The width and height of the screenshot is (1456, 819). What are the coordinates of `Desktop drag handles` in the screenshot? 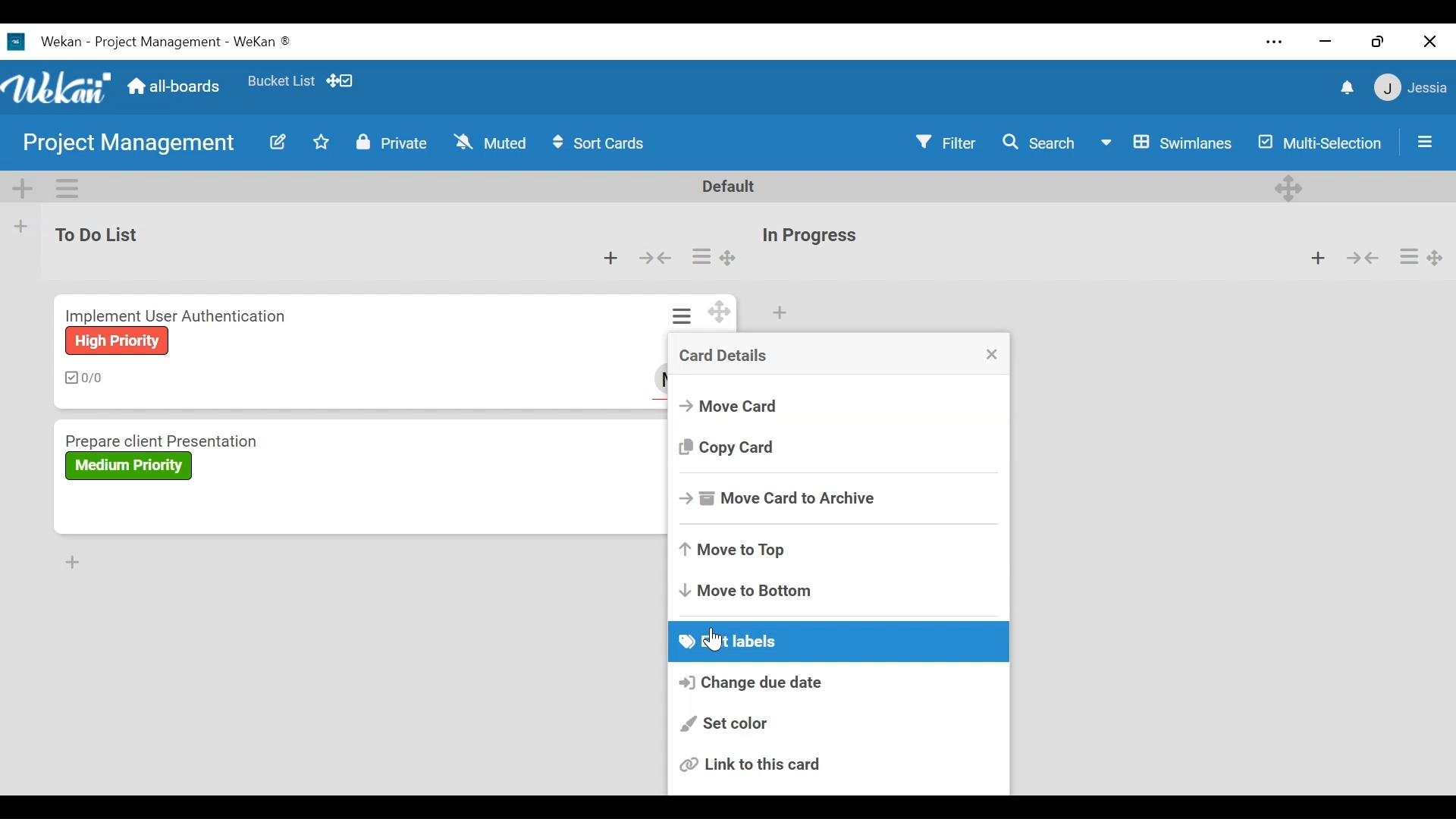 It's located at (1288, 188).